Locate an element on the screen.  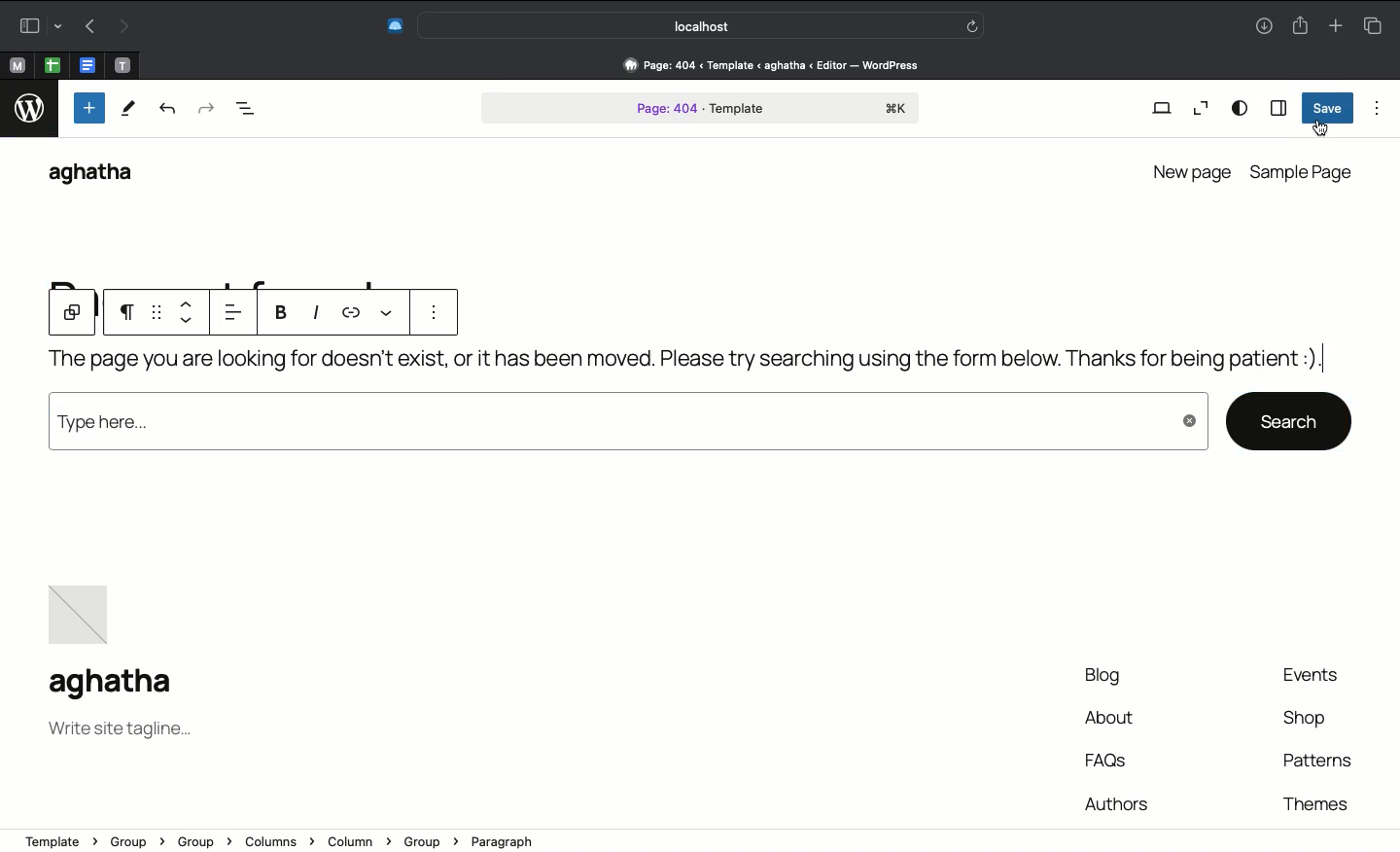
authors is located at coordinates (1116, 800).